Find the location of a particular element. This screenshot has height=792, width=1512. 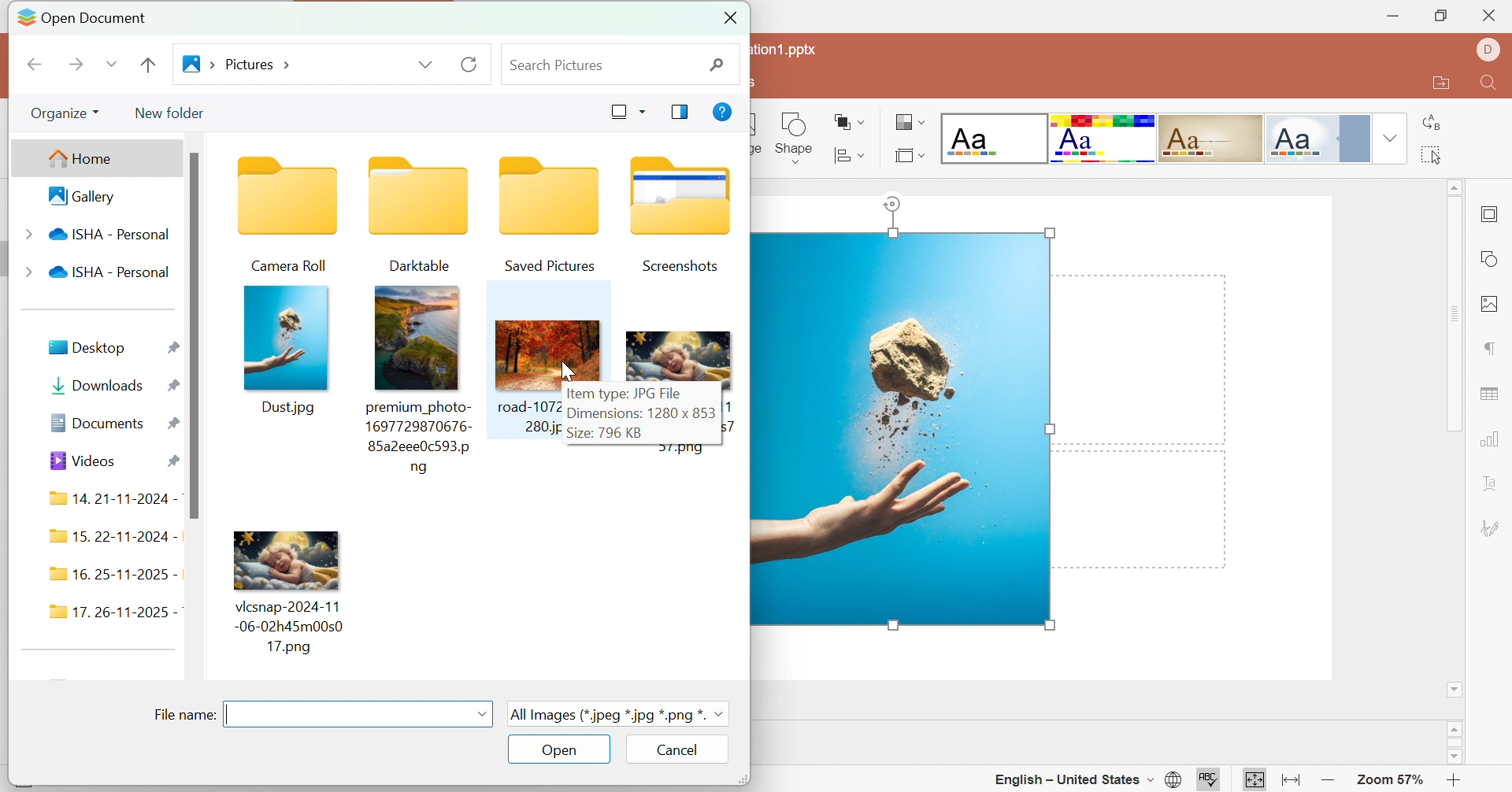

scroll bar is located at coordinates (1455, 742).